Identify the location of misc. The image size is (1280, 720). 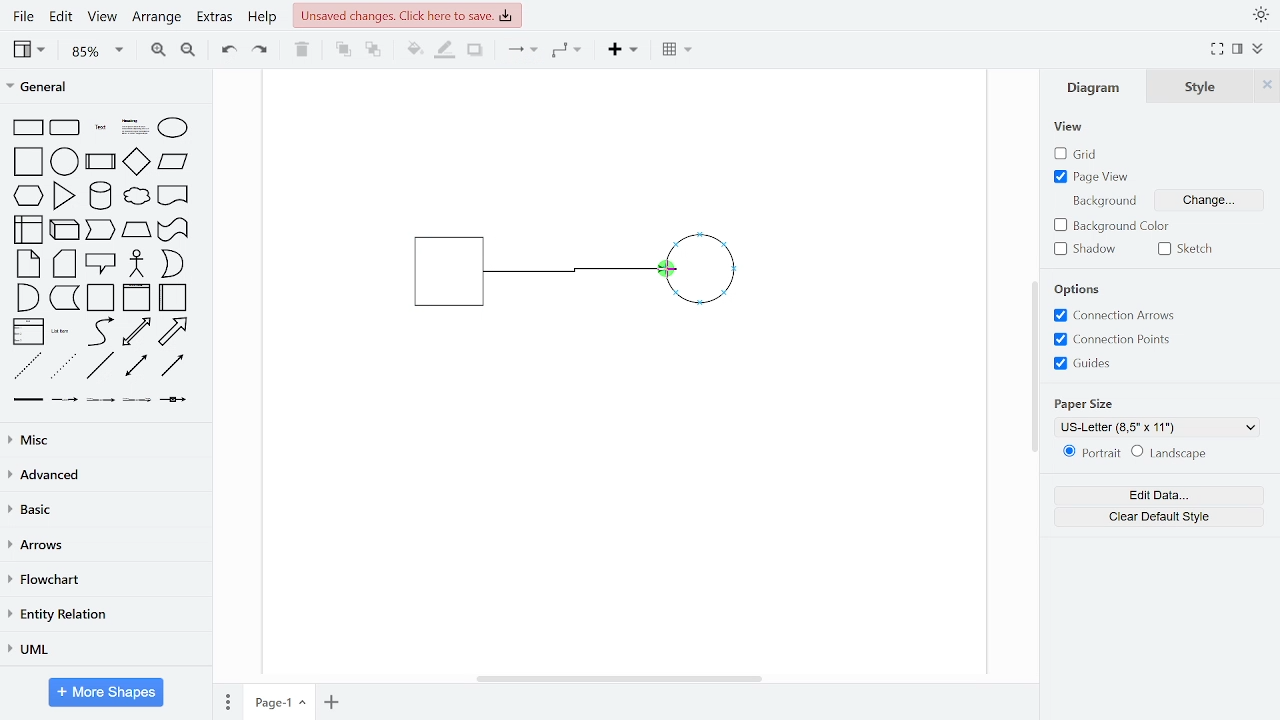
(102, 439).